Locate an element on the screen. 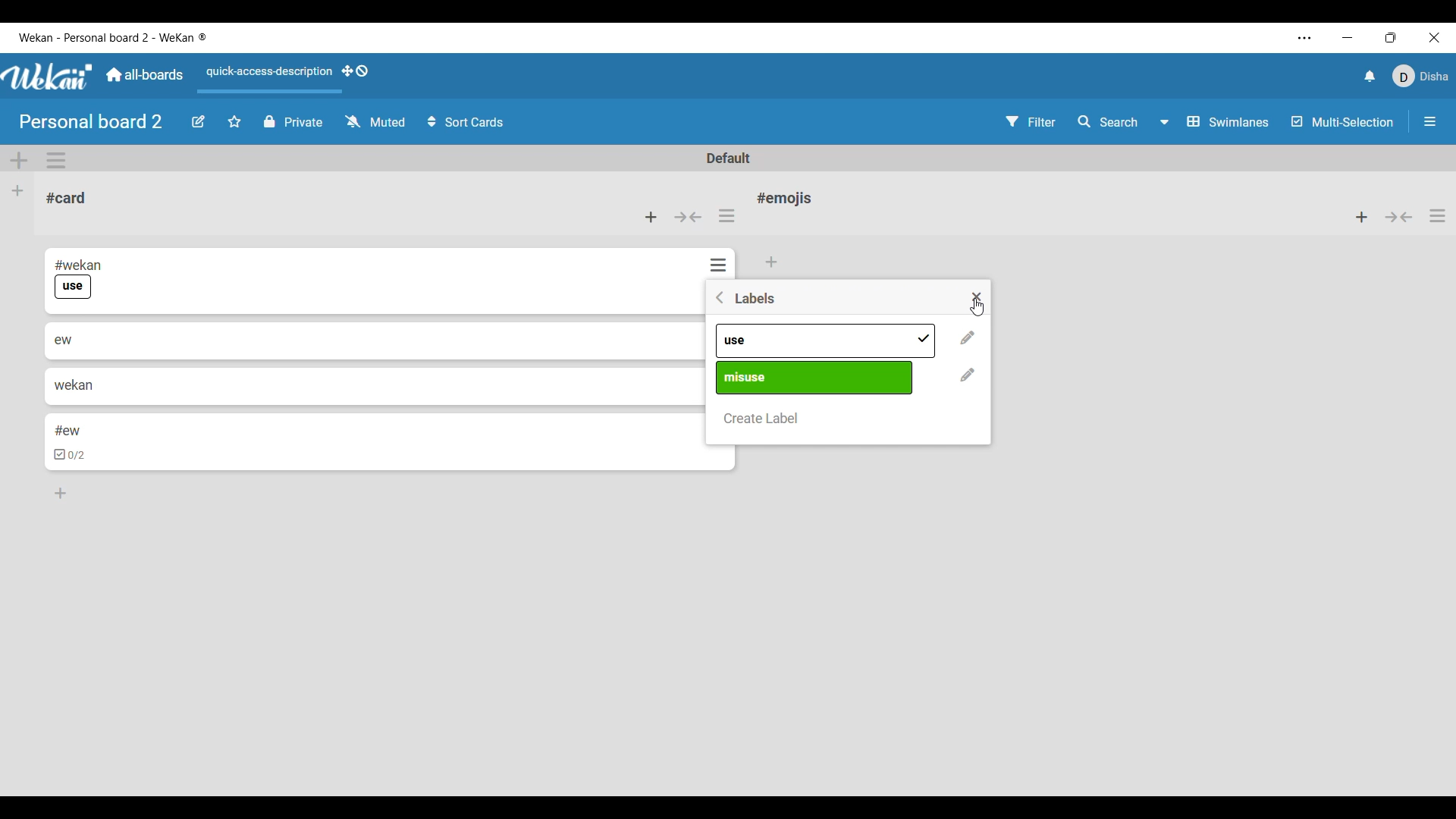 The height and width of the screenshot is (819, 1456). Title of window is located at coordinates (756, 298).